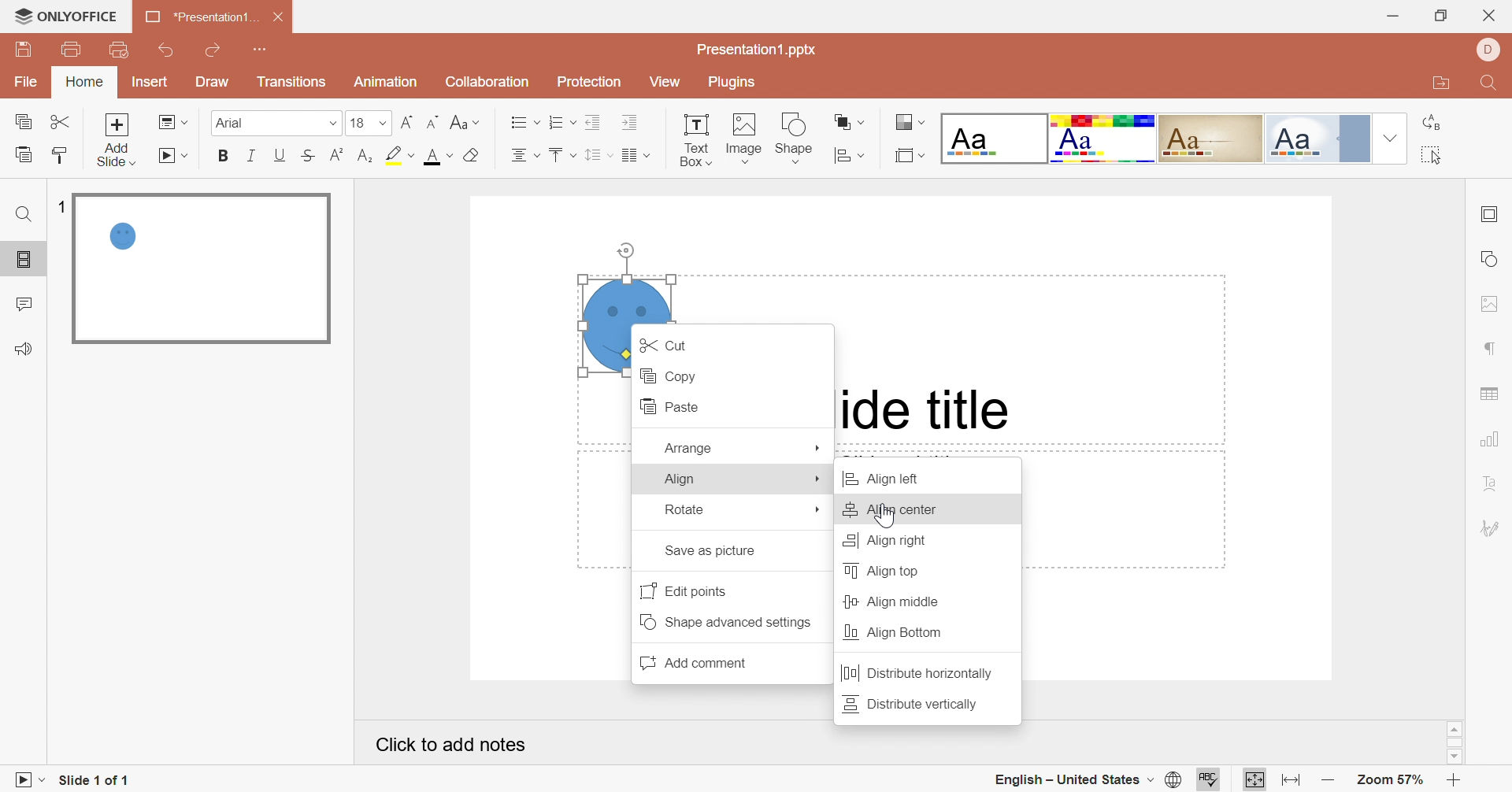 The height and width of the screenshot is (792, 1512). Describe the element at coordinates (675, 407) in the screenshot. I see `Paste` at that location.